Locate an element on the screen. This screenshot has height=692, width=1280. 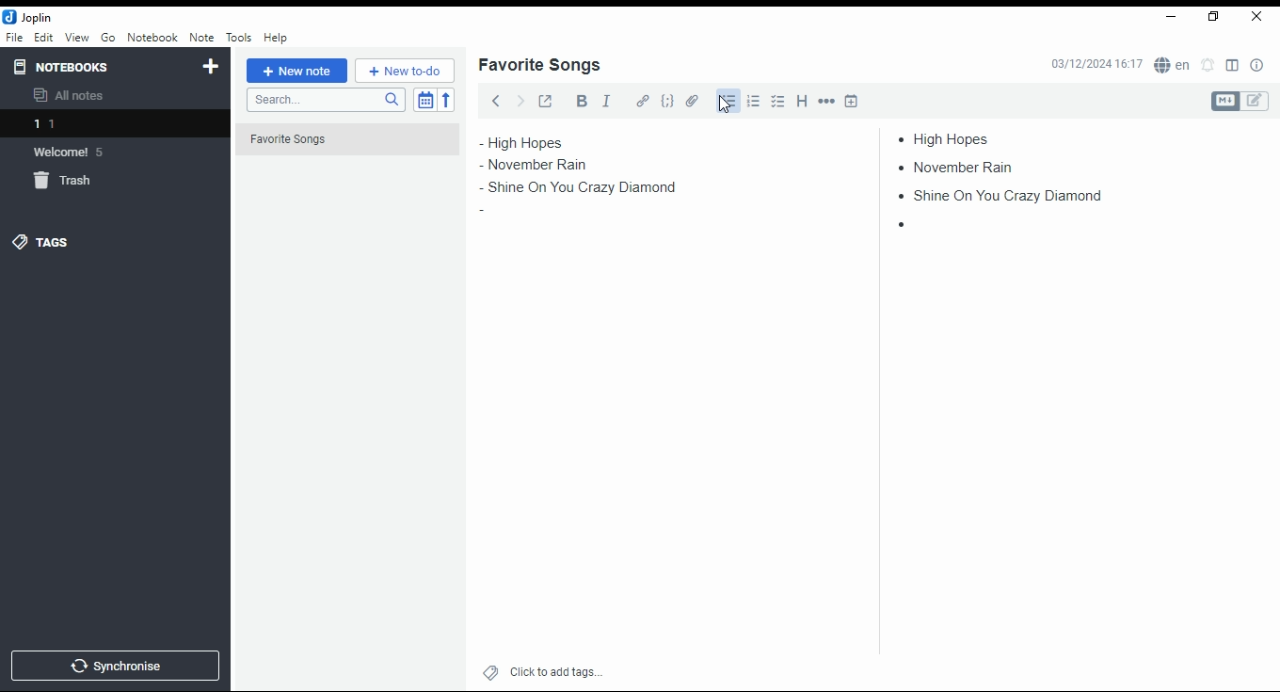
03/12/2024 16:16 is located at coordinates (1096, 64).